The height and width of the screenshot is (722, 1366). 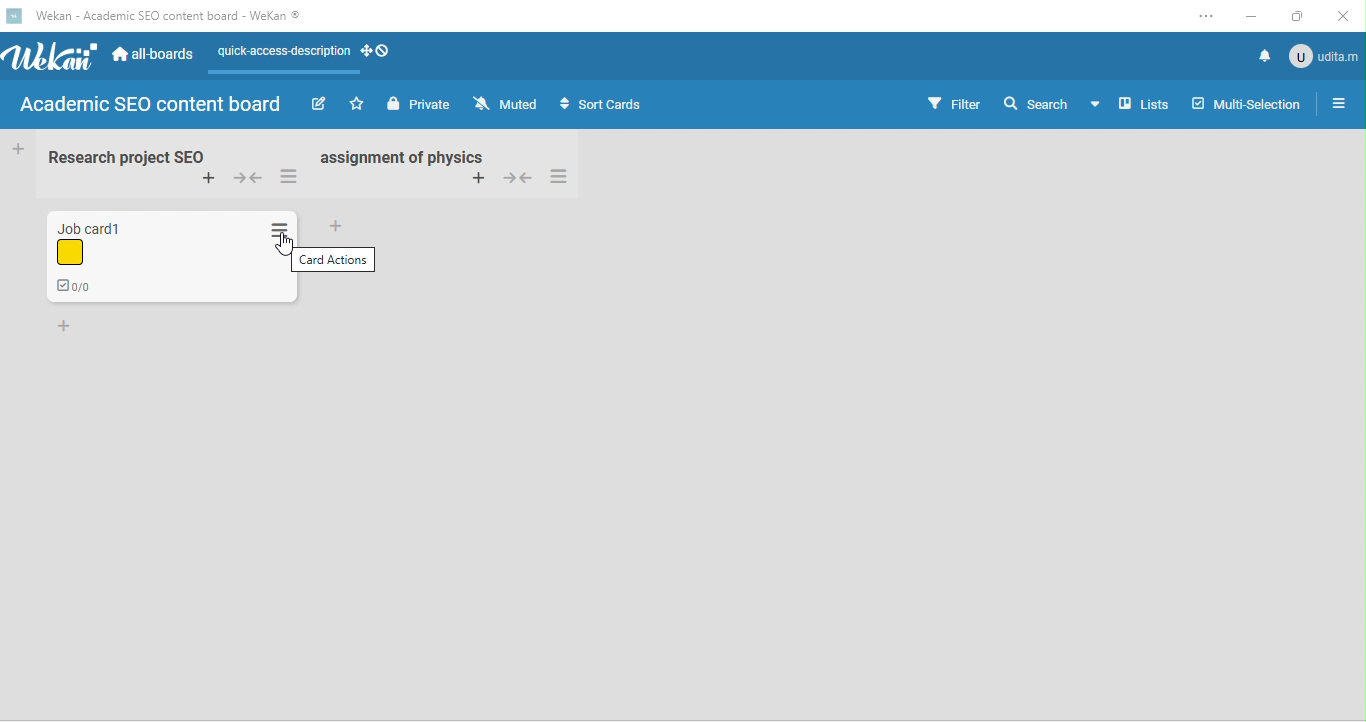 I want to click on filter, so click(x=955, y=102).